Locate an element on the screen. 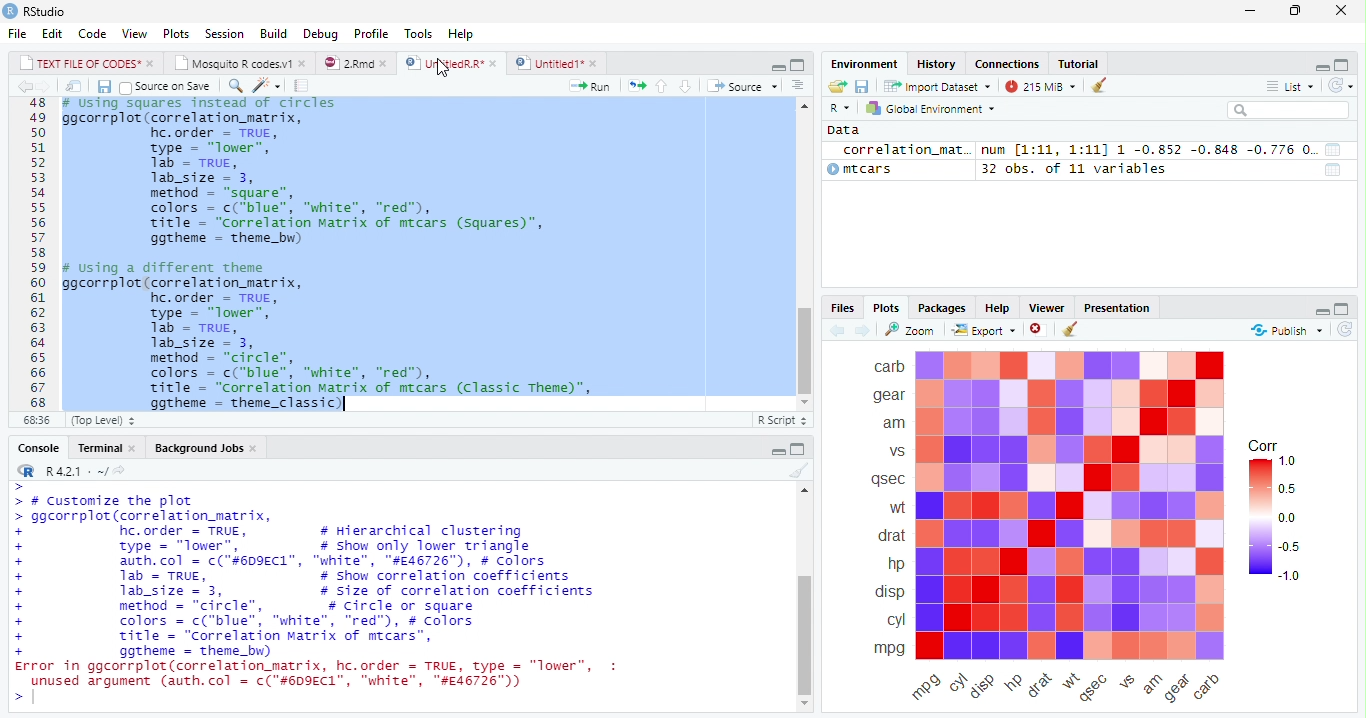 The height and width of the screenshot is (718, 1366). re run the previous code is located at coordinates (635, 84).